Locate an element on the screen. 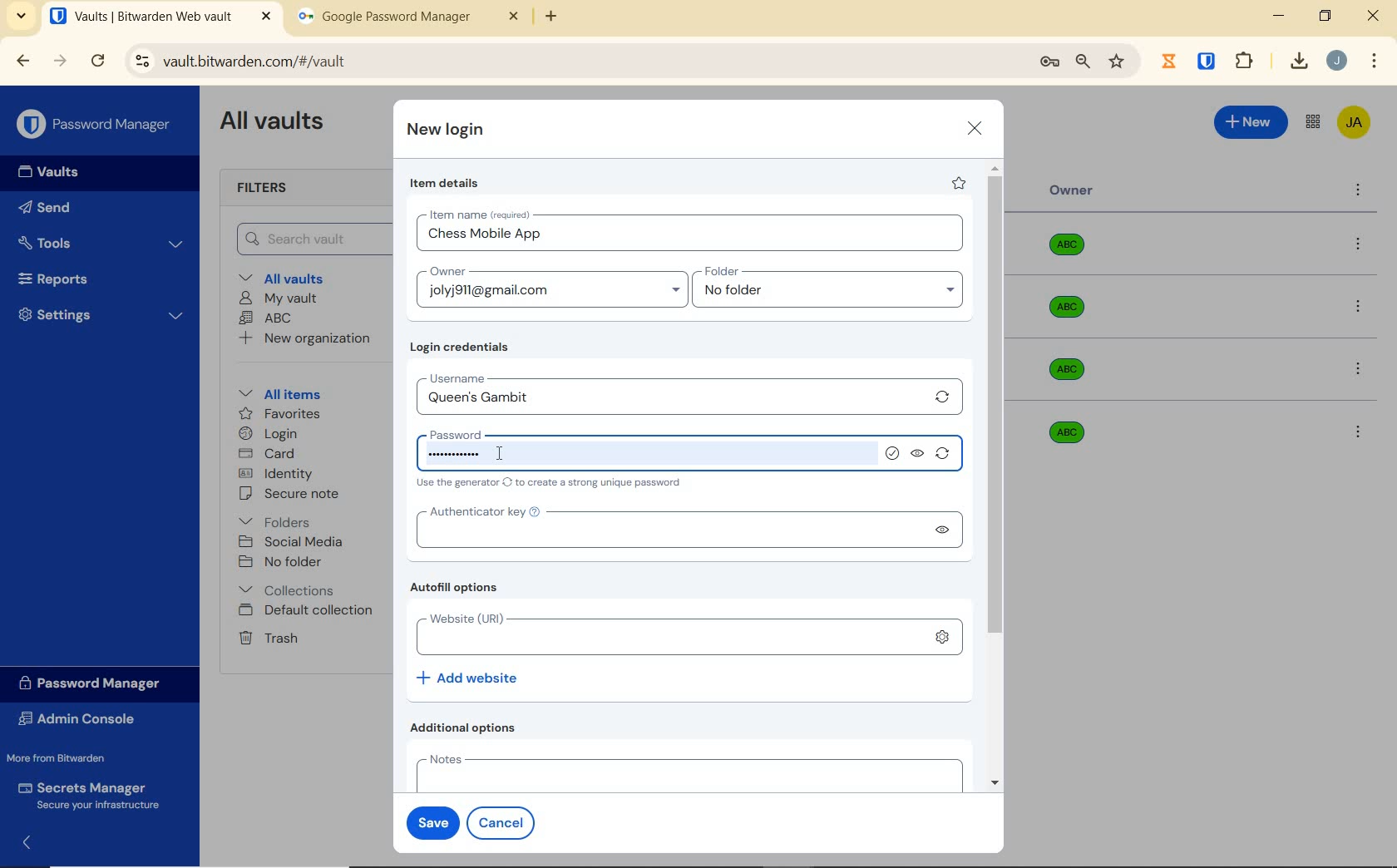  jolyj91@gmail.com is located at coordinates (555, 293).